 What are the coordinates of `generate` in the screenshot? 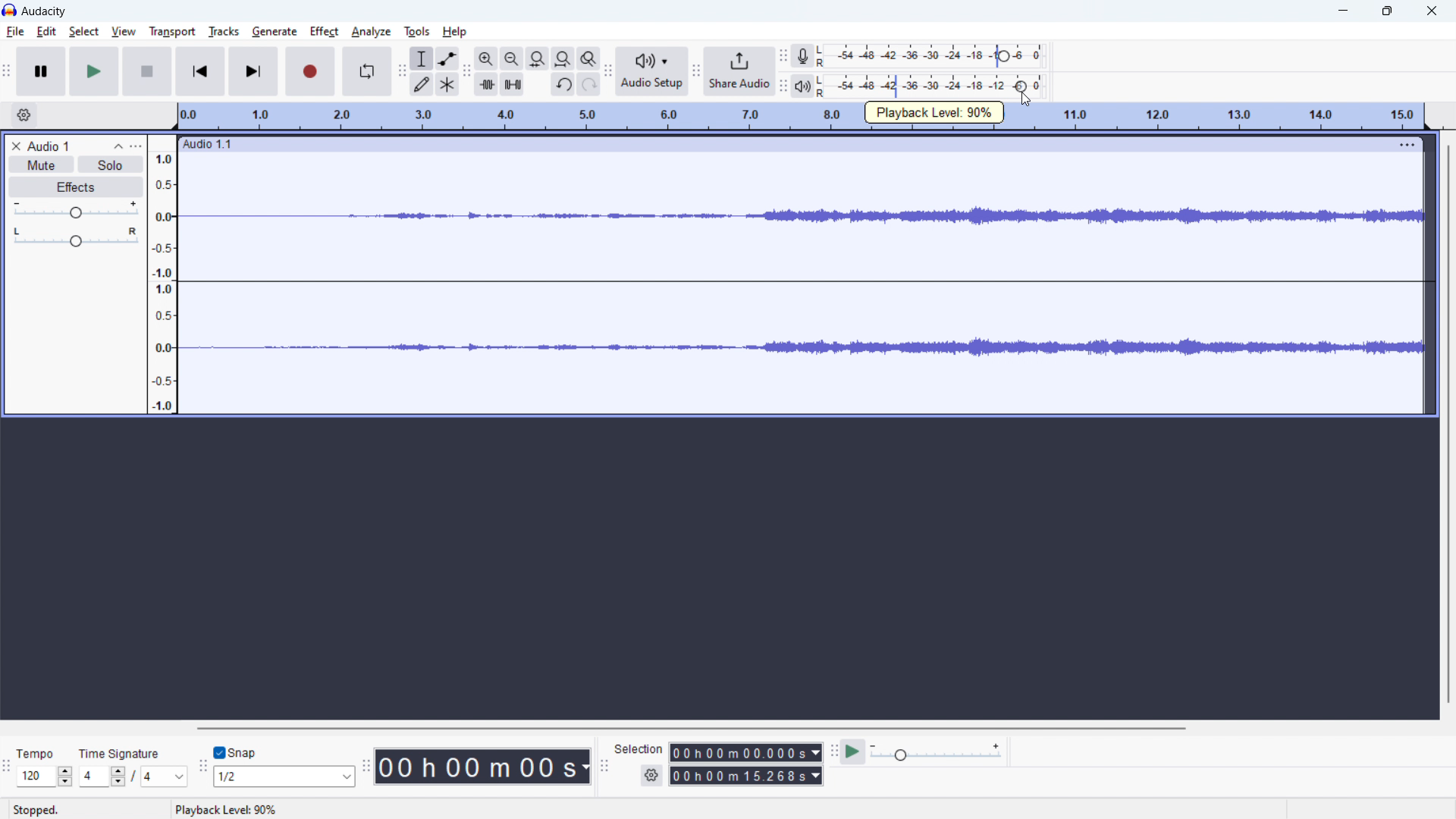 It's located at (275, 31).